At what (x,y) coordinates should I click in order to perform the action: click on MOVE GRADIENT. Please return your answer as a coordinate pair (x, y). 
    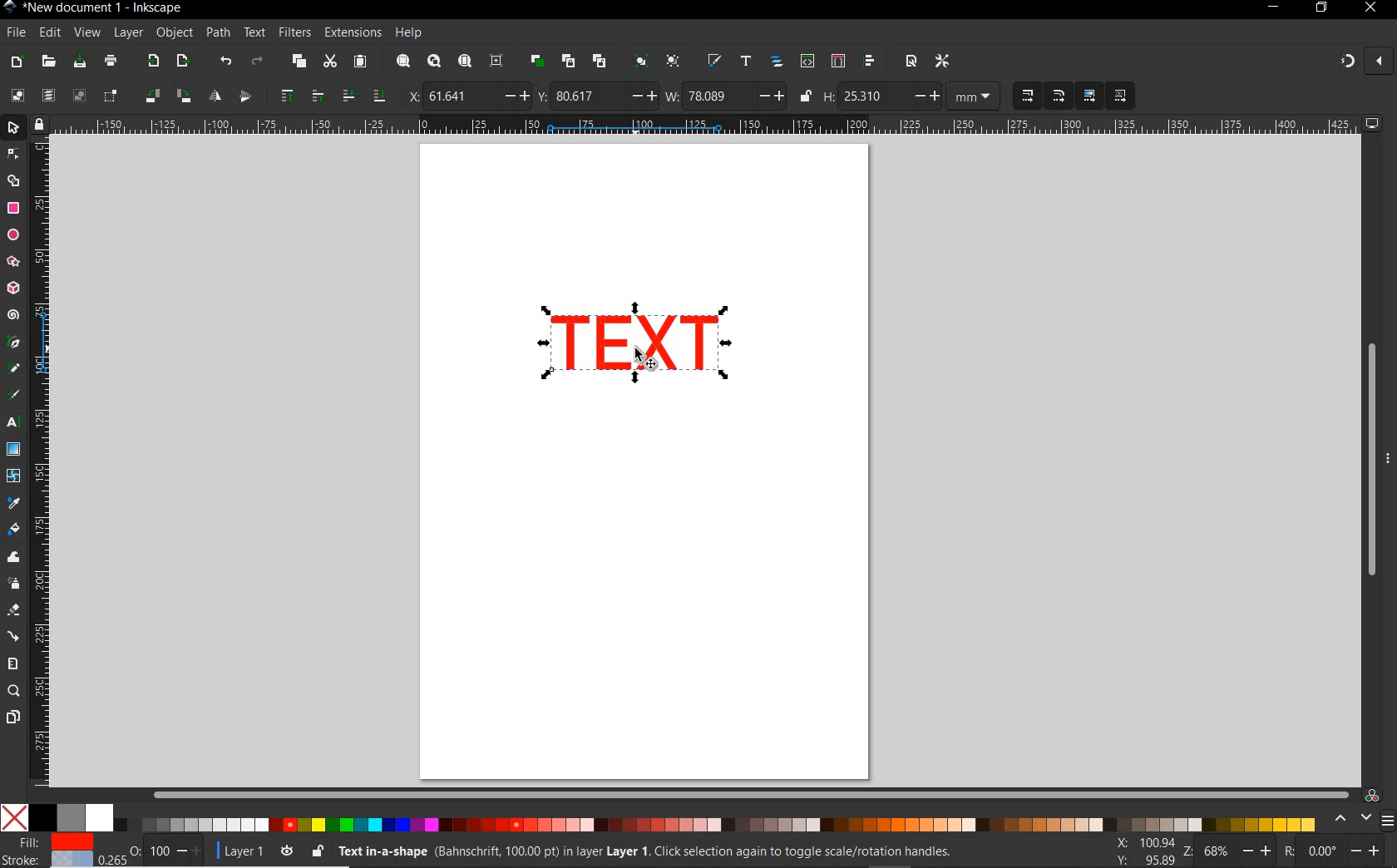
    Looking at the image, I should click on (1090, 96).